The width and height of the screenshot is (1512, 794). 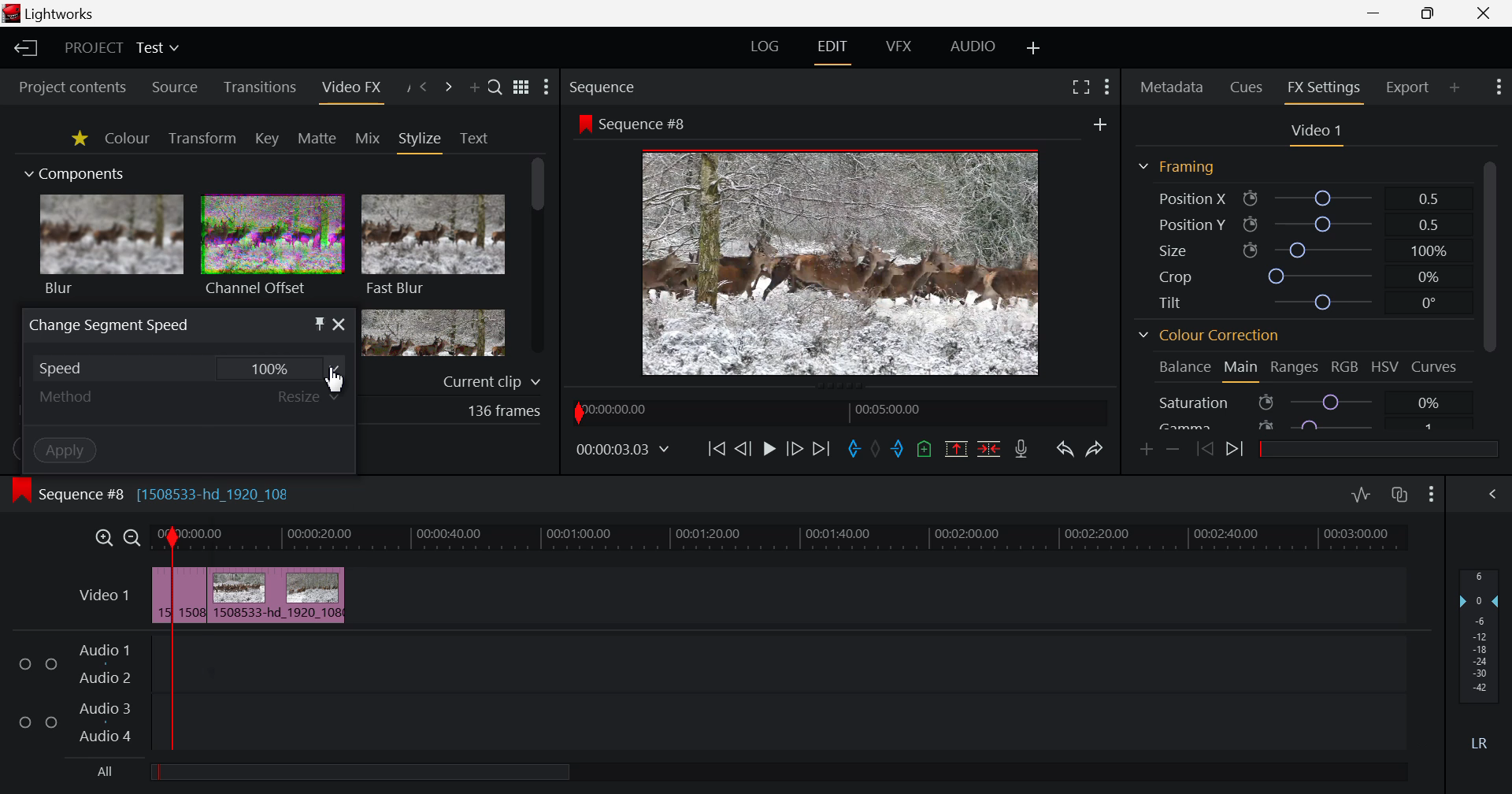 What do you see at coordinates (898, 47) in the screenshot?
I see `VFX Layout` at bounding box center [898, 47].